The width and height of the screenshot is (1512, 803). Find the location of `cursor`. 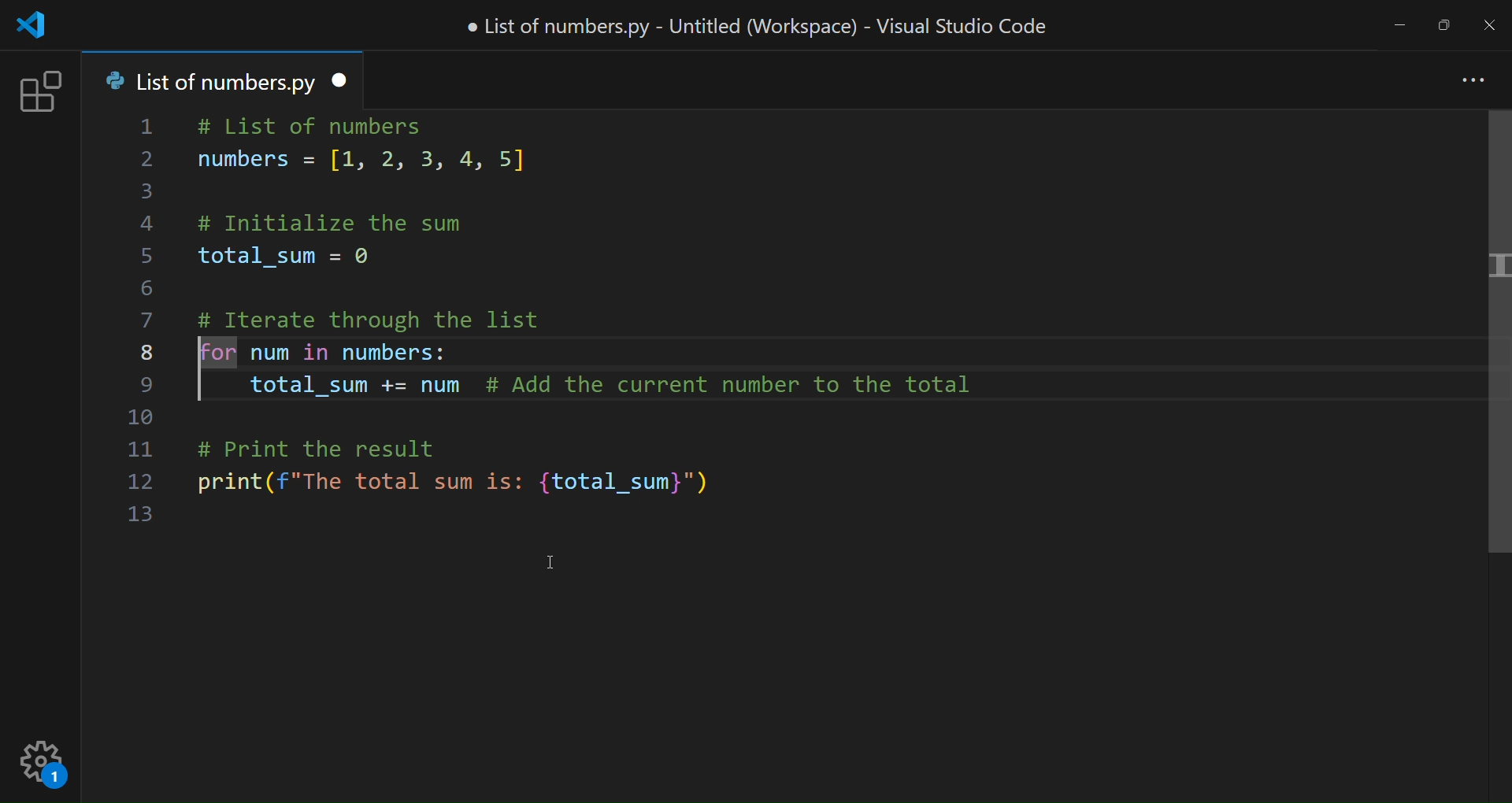

cursor is located at coordinates (556, 563).